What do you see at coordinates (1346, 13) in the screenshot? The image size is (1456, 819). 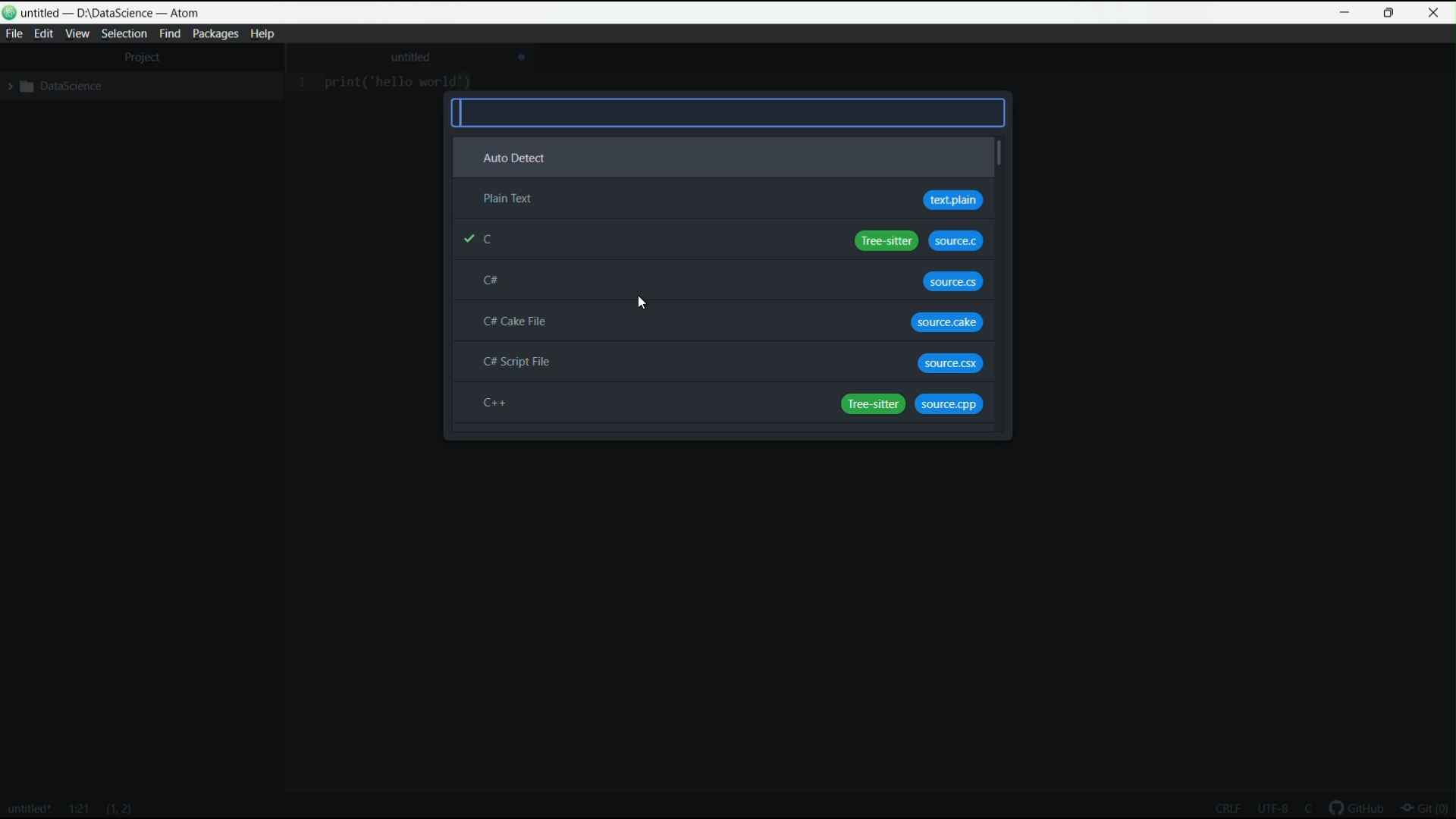 I see `minimize` at bounding box center [1346, 13].